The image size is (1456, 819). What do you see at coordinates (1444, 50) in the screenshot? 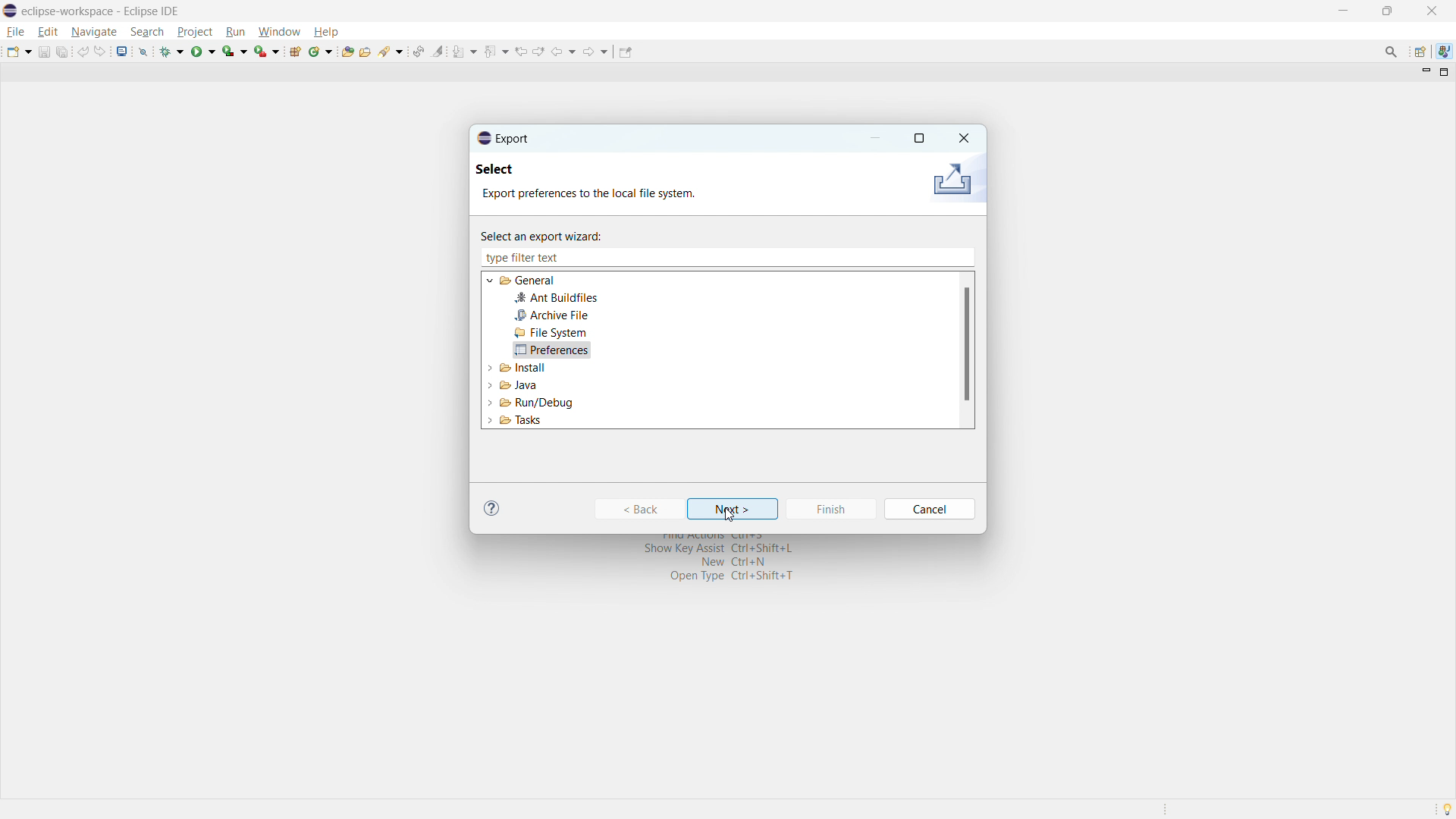
I see `java` at bounding box center [1444, 50].